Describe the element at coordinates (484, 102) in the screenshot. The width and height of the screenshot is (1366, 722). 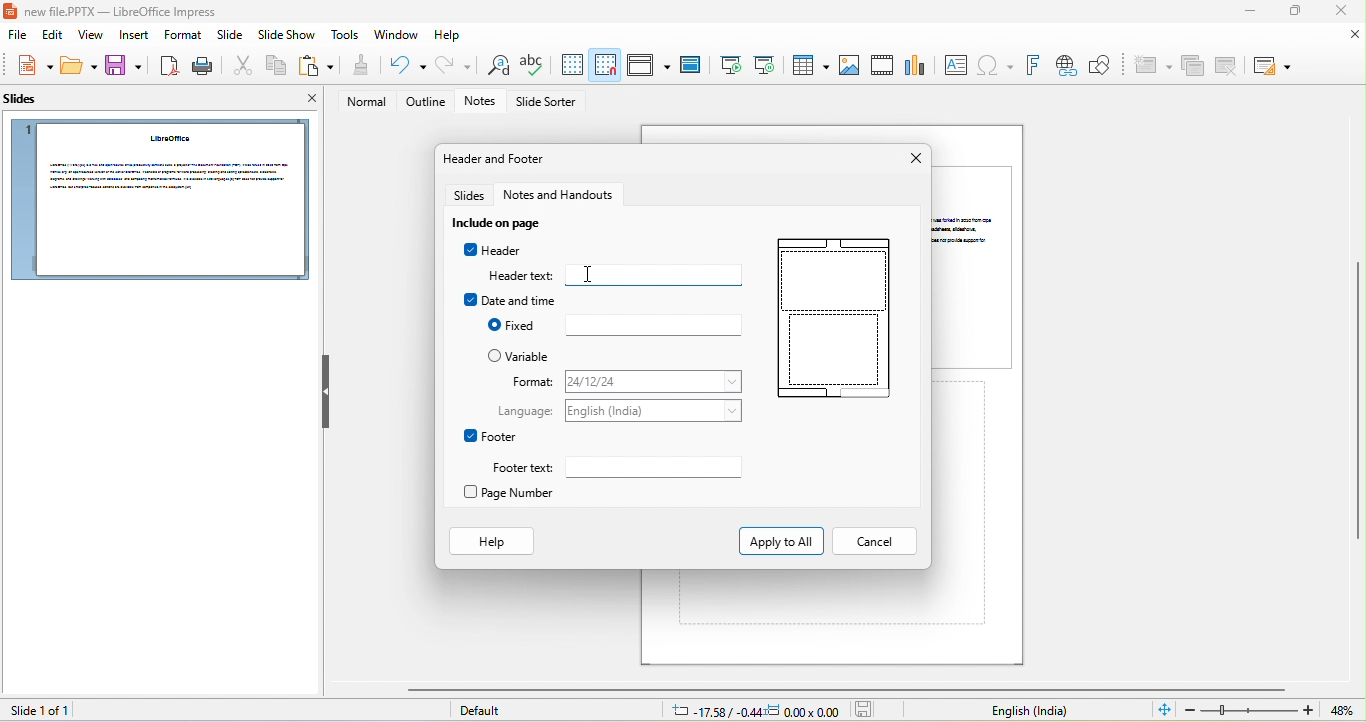
I see `notes` at that location.